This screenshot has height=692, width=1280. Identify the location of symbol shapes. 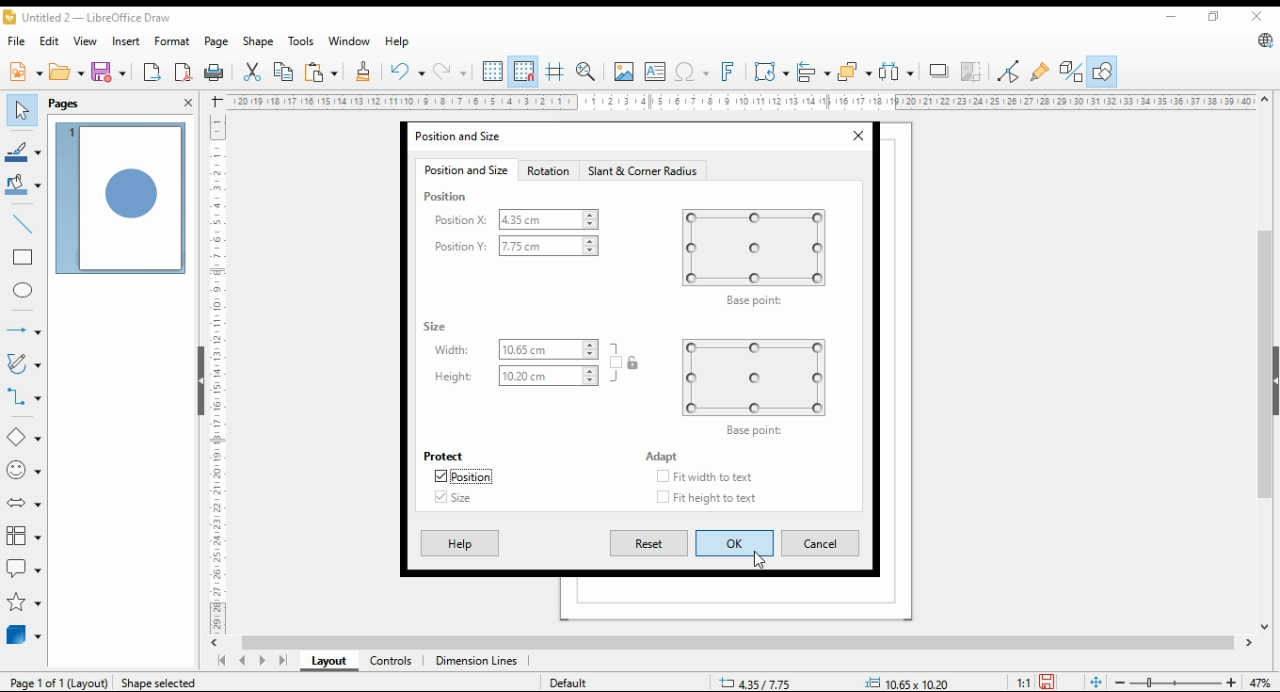
(23, 469).